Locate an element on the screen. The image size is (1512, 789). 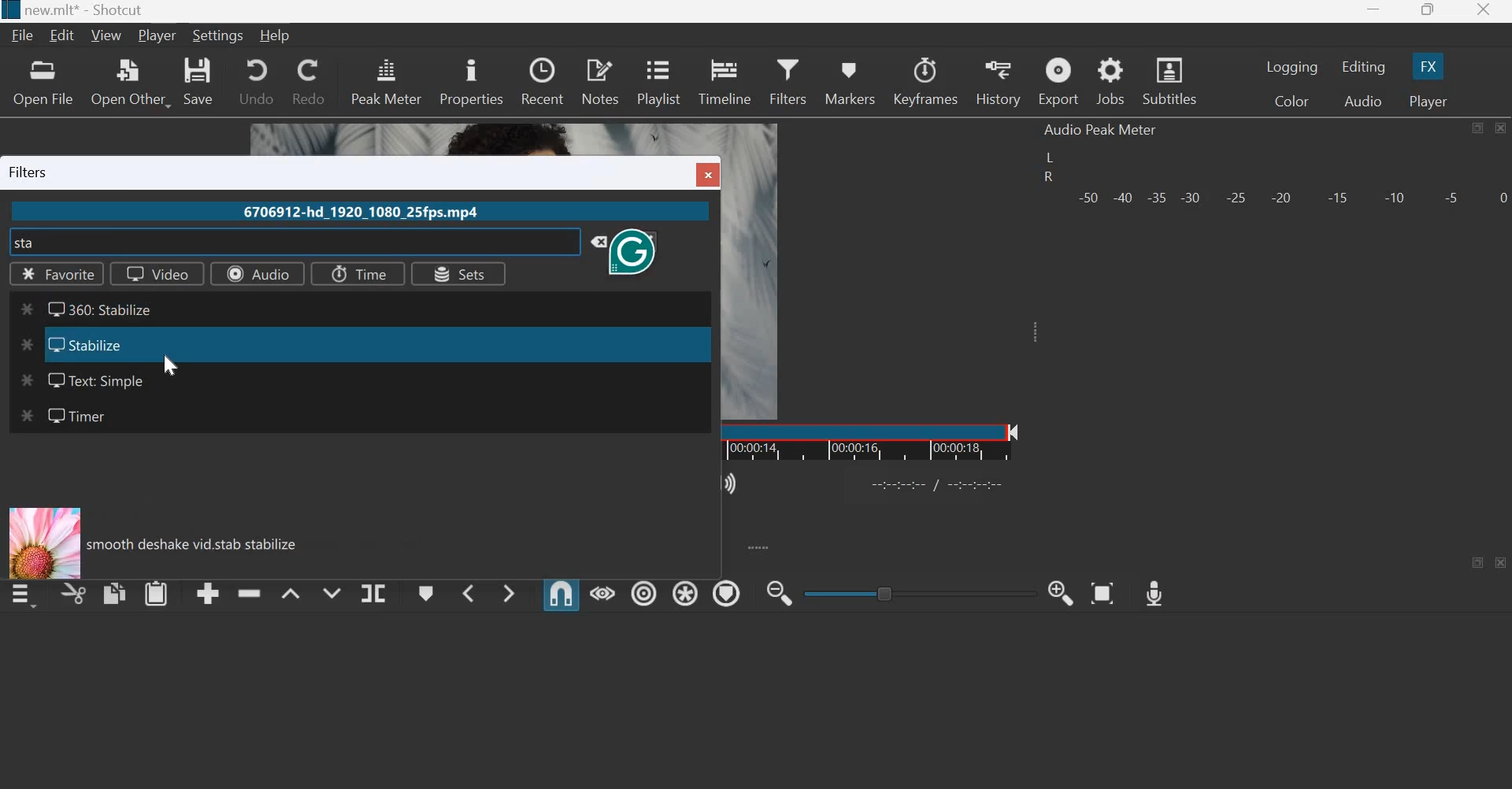
History is located at coordinates (999, 82).